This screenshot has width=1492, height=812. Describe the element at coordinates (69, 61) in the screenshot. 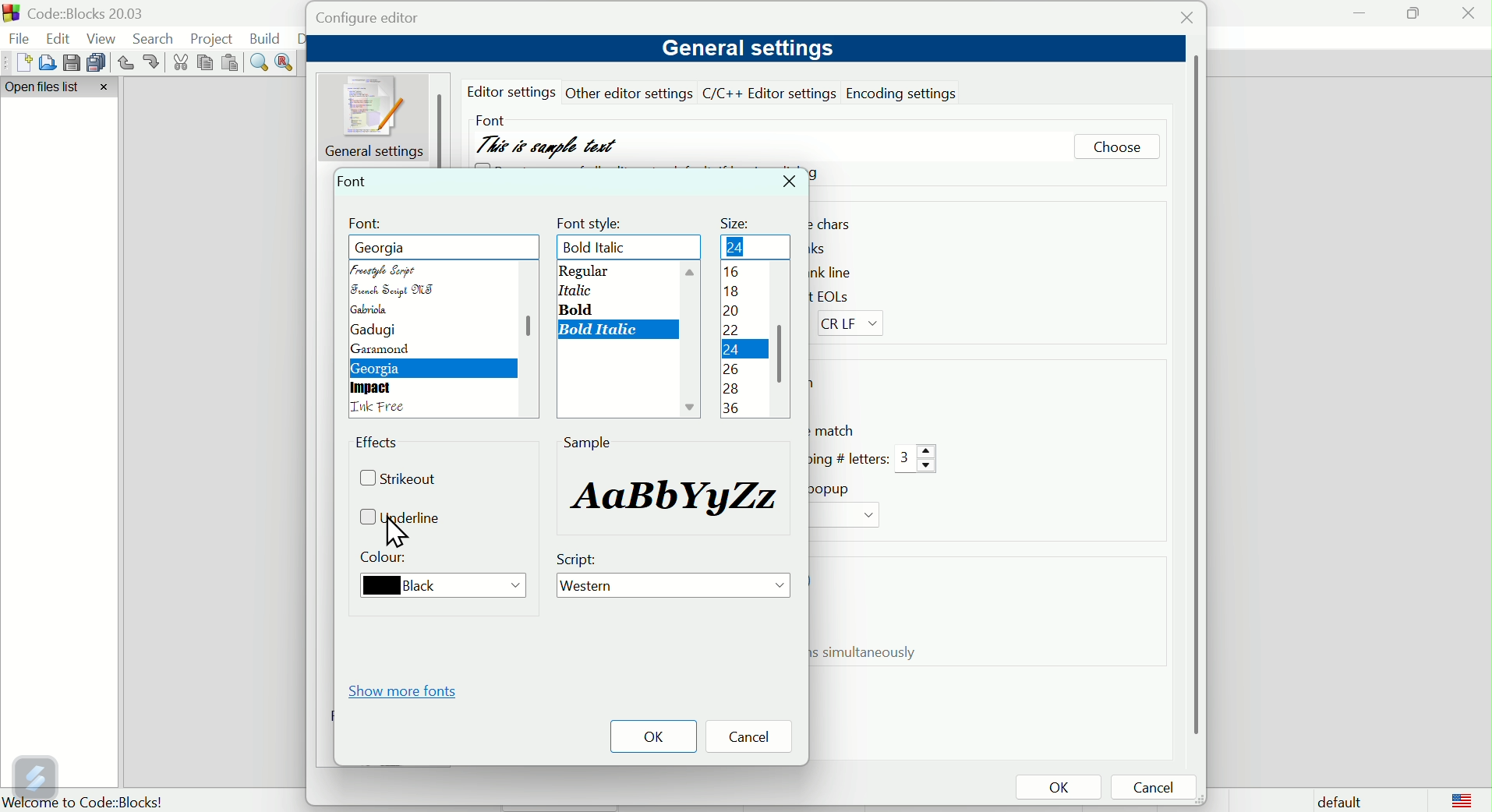

I see `save` at that location.